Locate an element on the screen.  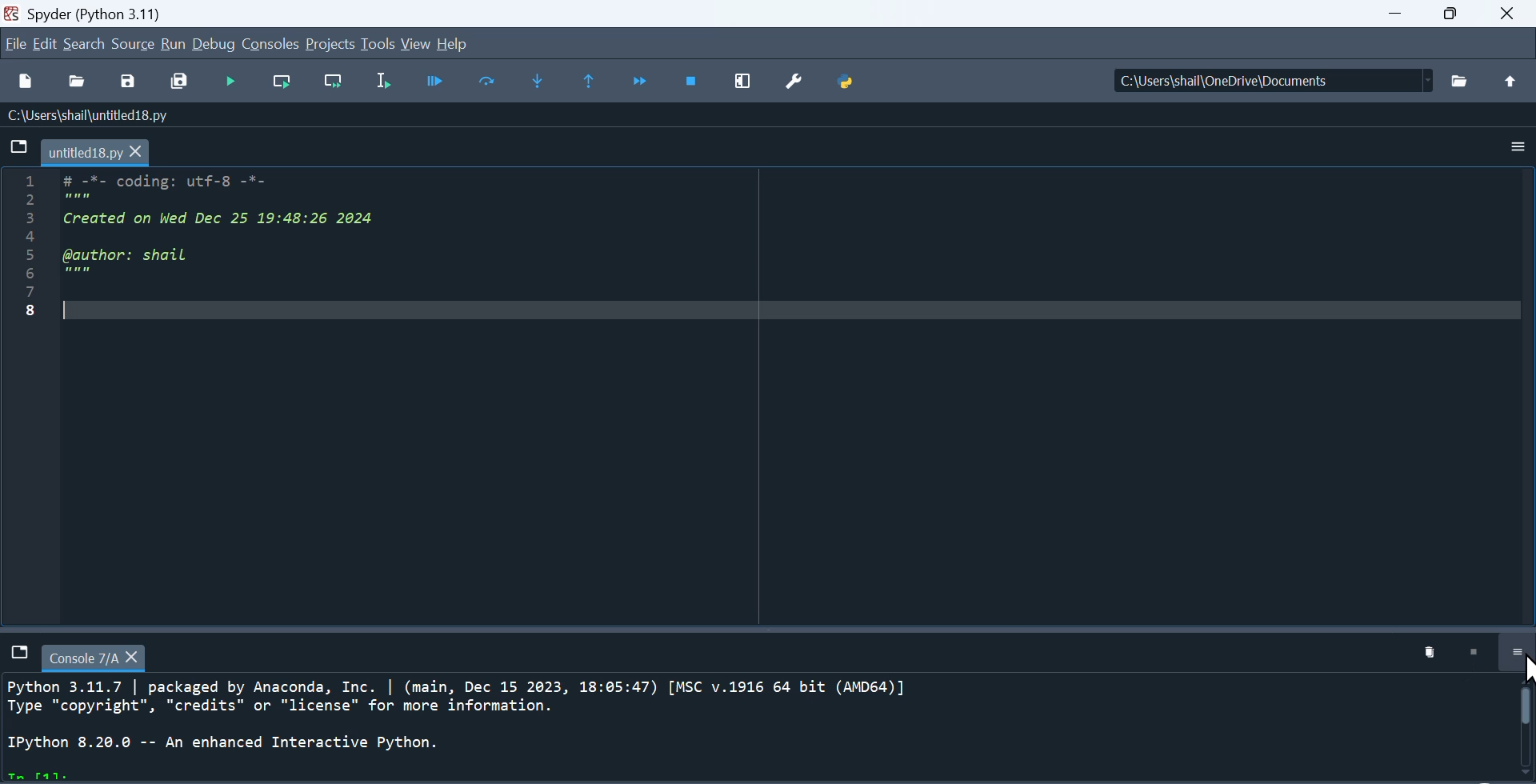
cursor is located at coordinates (1526, 673).